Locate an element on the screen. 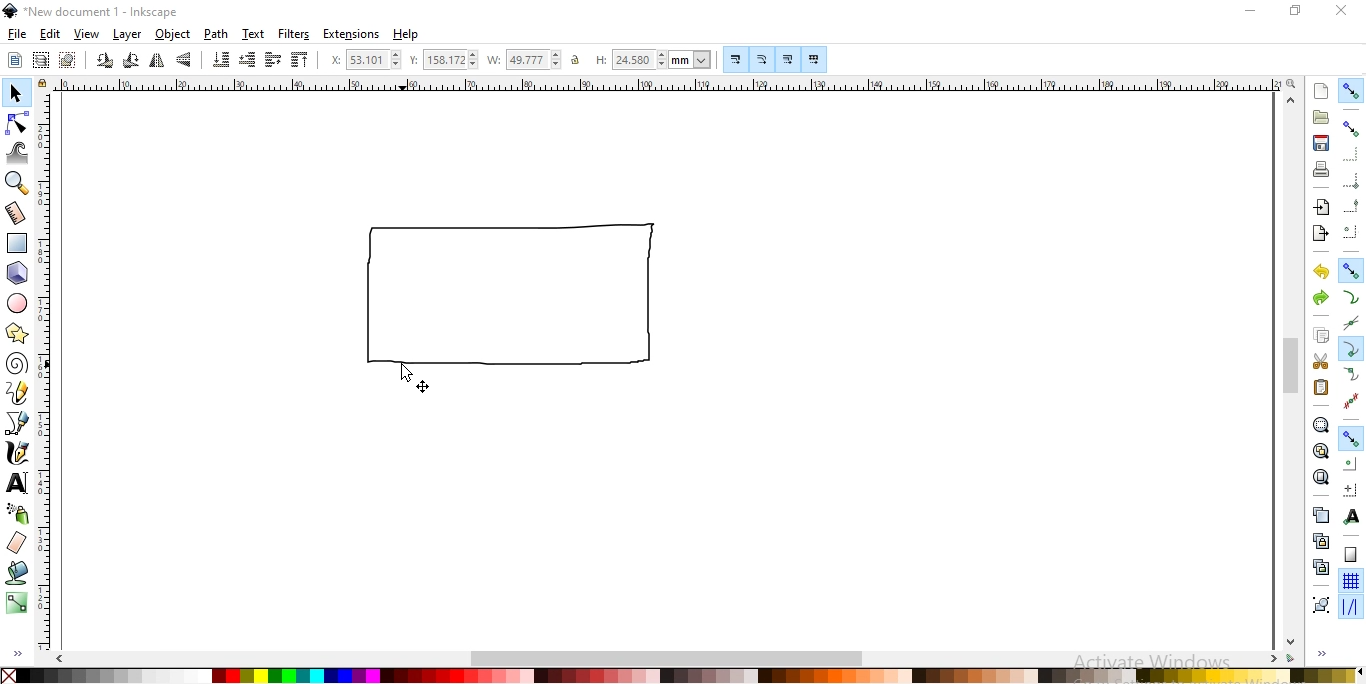 Image resolution: width=1366 pixels, height=684 pixels. layer is located at coordinates (128, 35).